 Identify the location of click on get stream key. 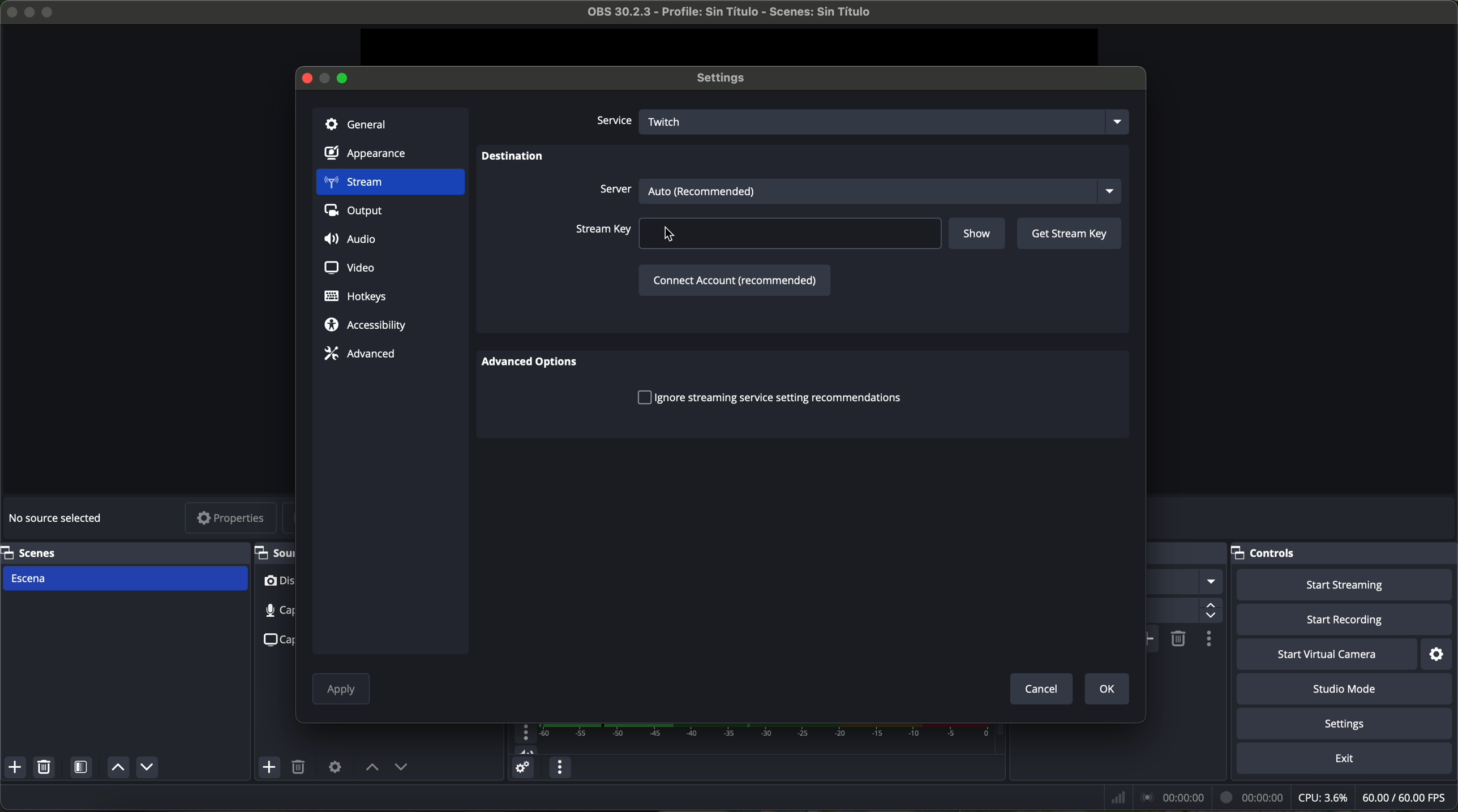
(1069, 234).